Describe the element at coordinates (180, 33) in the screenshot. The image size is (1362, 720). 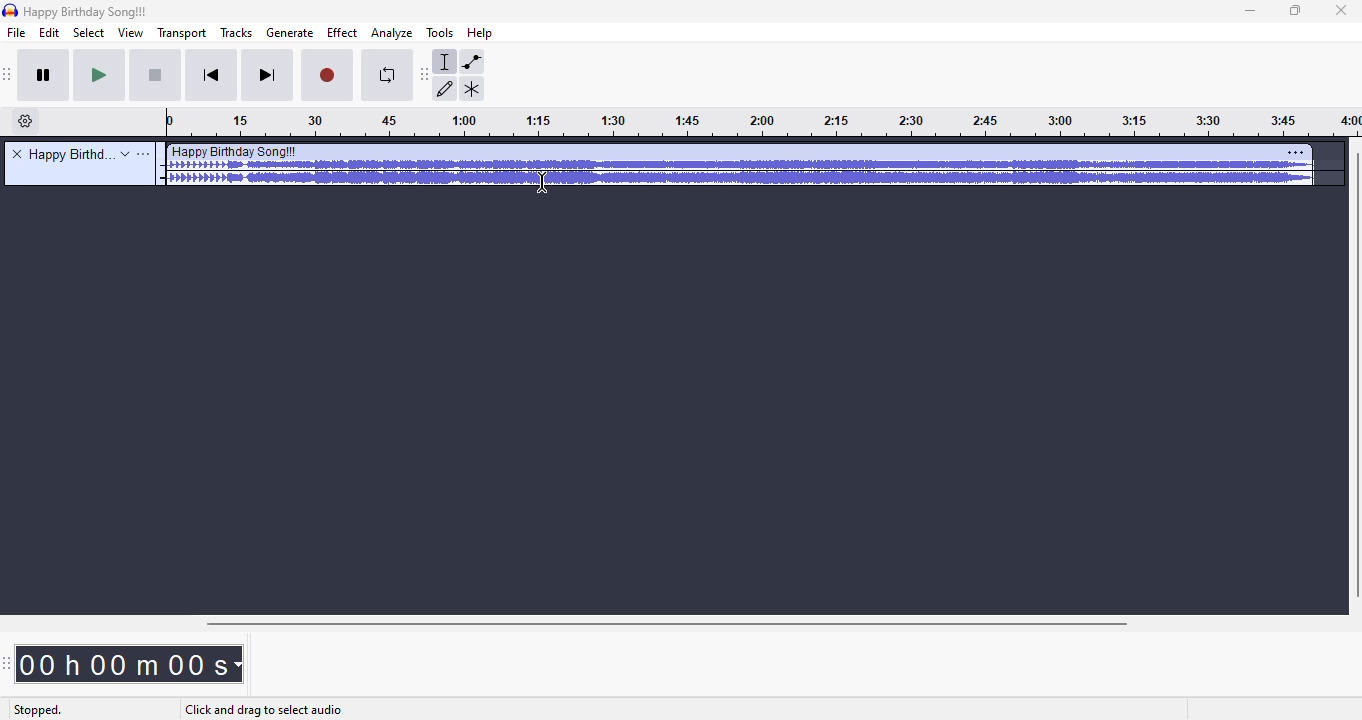
I see `transport` at that location.